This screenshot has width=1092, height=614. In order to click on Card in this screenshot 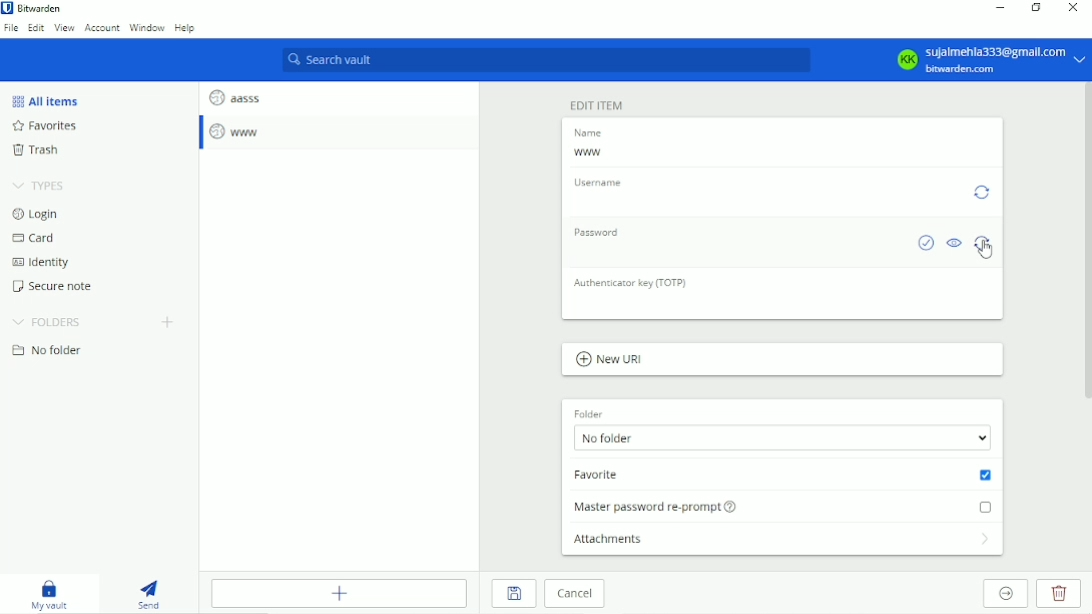, I will do `click(36, 239)`.